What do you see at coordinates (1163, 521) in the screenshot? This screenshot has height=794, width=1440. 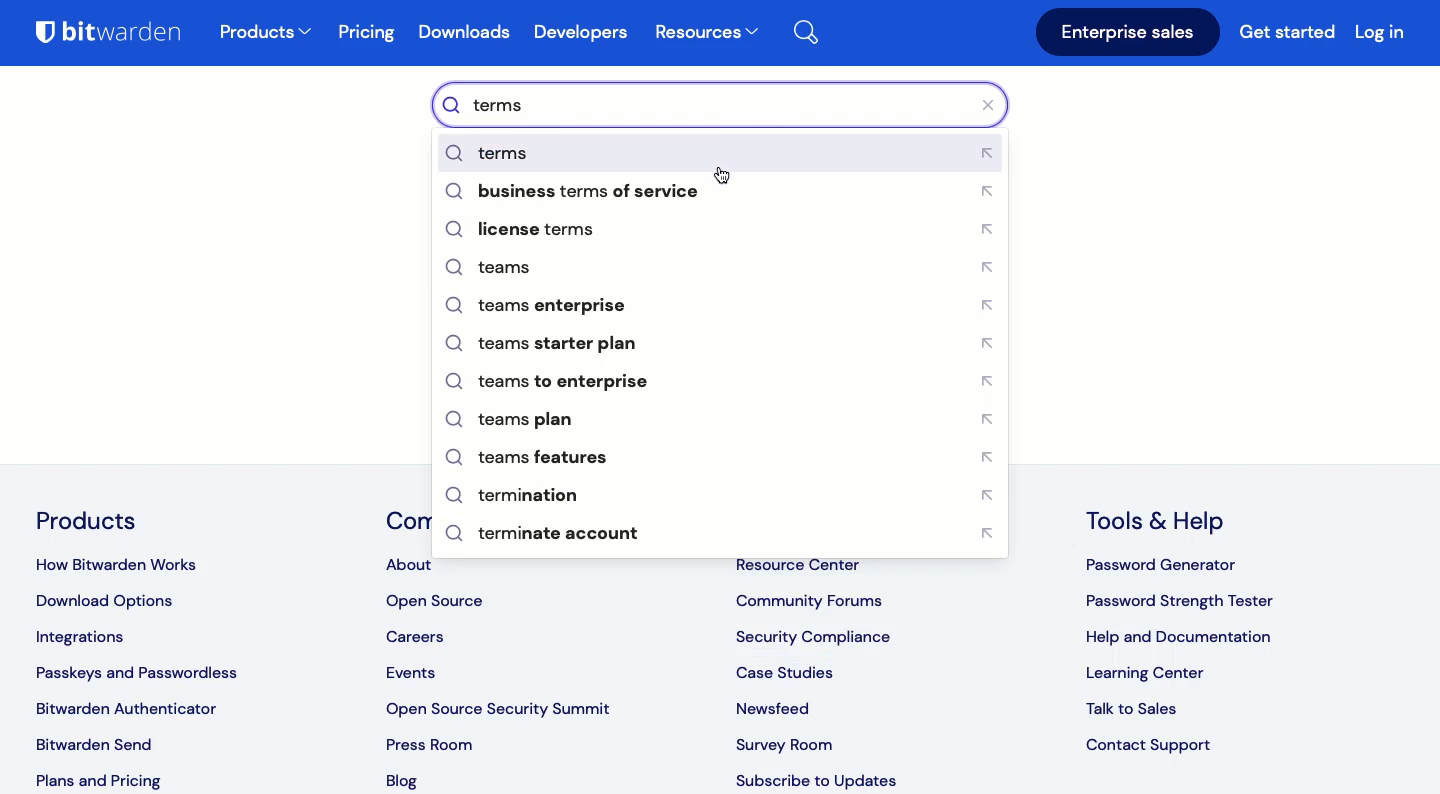 I see `tools and help` at bounding box center [1163, 521].